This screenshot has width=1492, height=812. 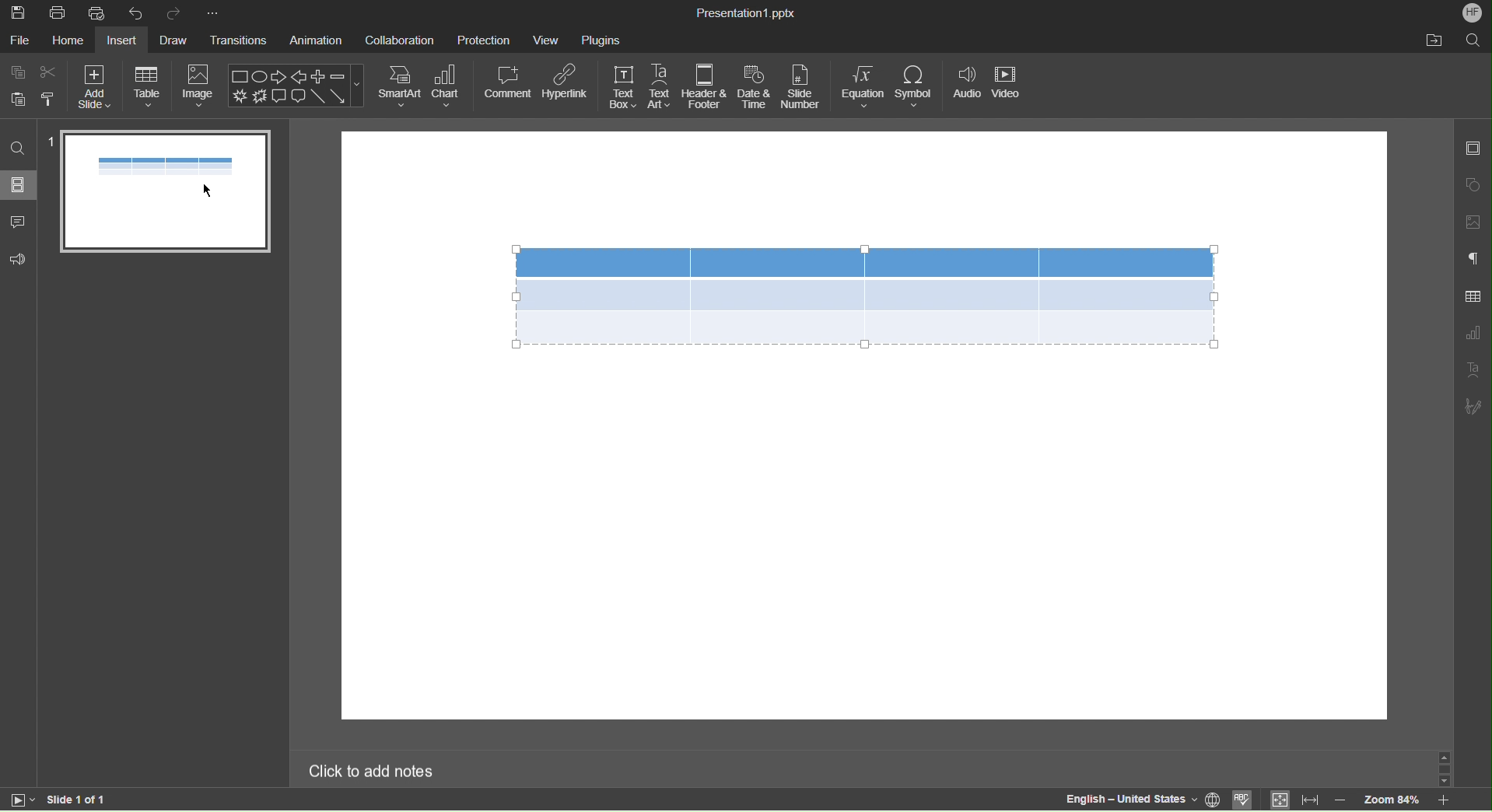 What do you see at coordinates (19, 149) in the screenshot?
I see `Search` at bounding box center [19, 149].